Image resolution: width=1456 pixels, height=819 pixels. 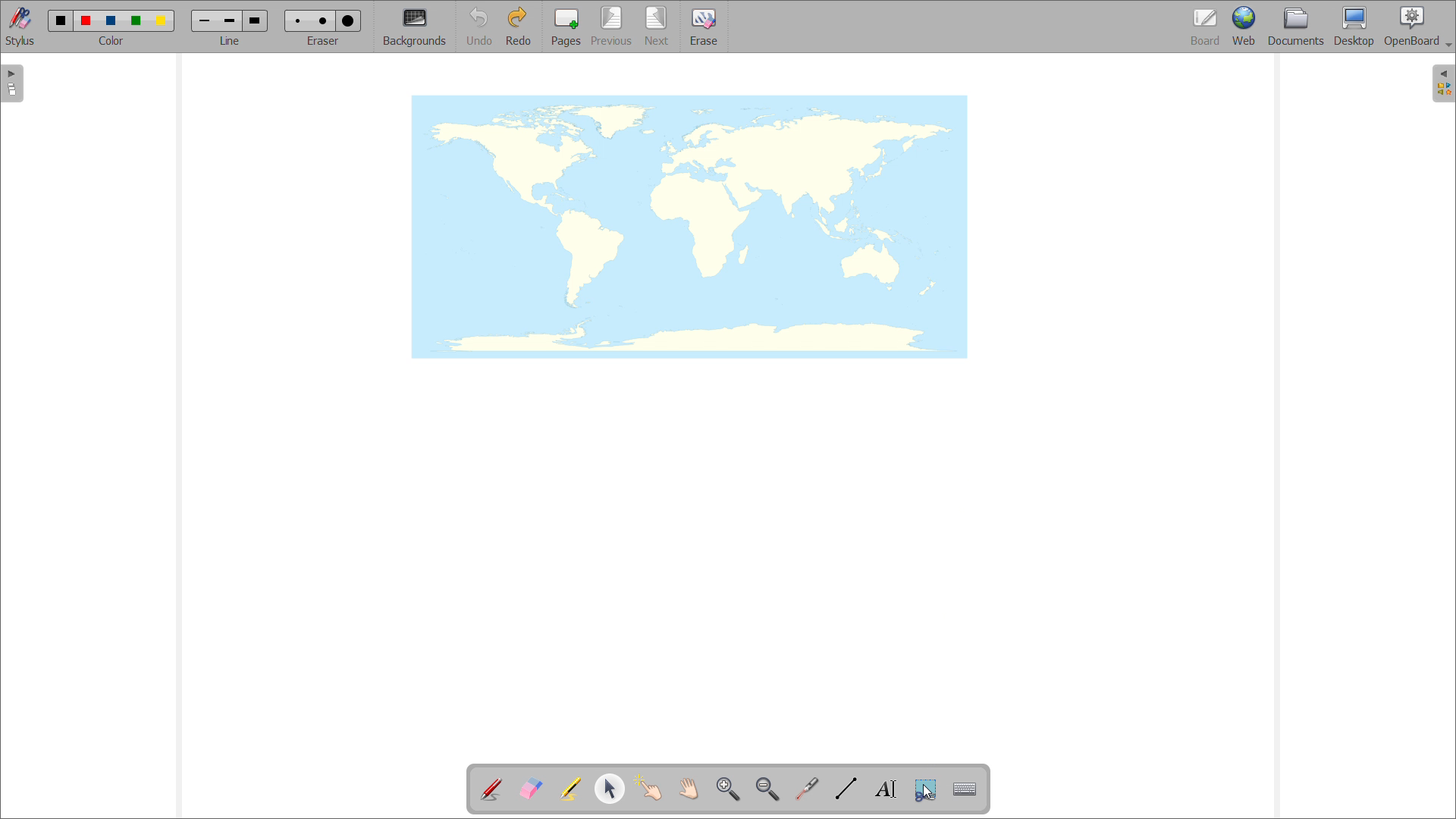 What do you see at coordinates (12, 83) in the screenshot?
I see `open pages view` at bounding box center [12, 83].